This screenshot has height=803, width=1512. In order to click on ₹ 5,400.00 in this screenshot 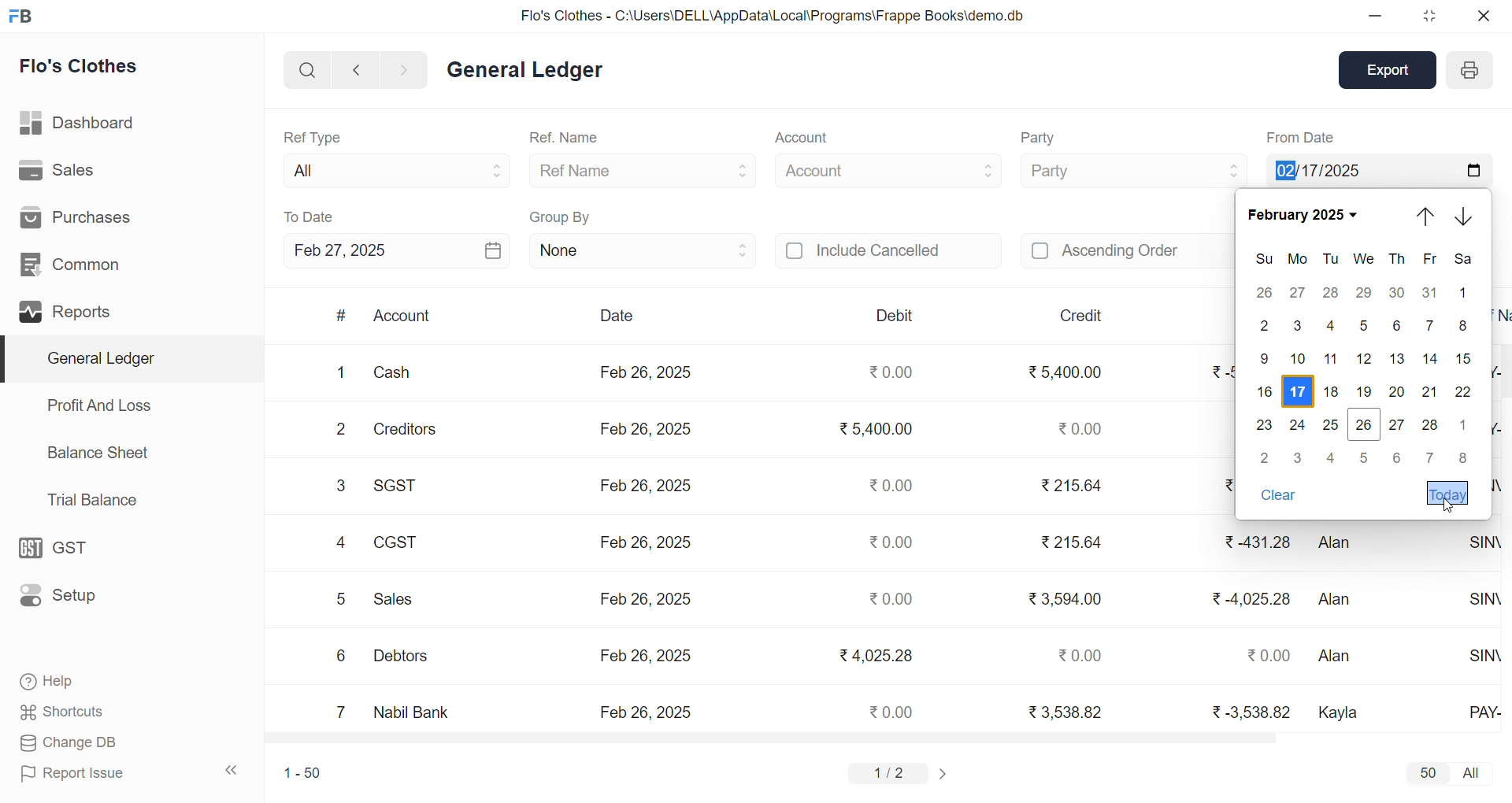, I will do `click(1067, 368)`.